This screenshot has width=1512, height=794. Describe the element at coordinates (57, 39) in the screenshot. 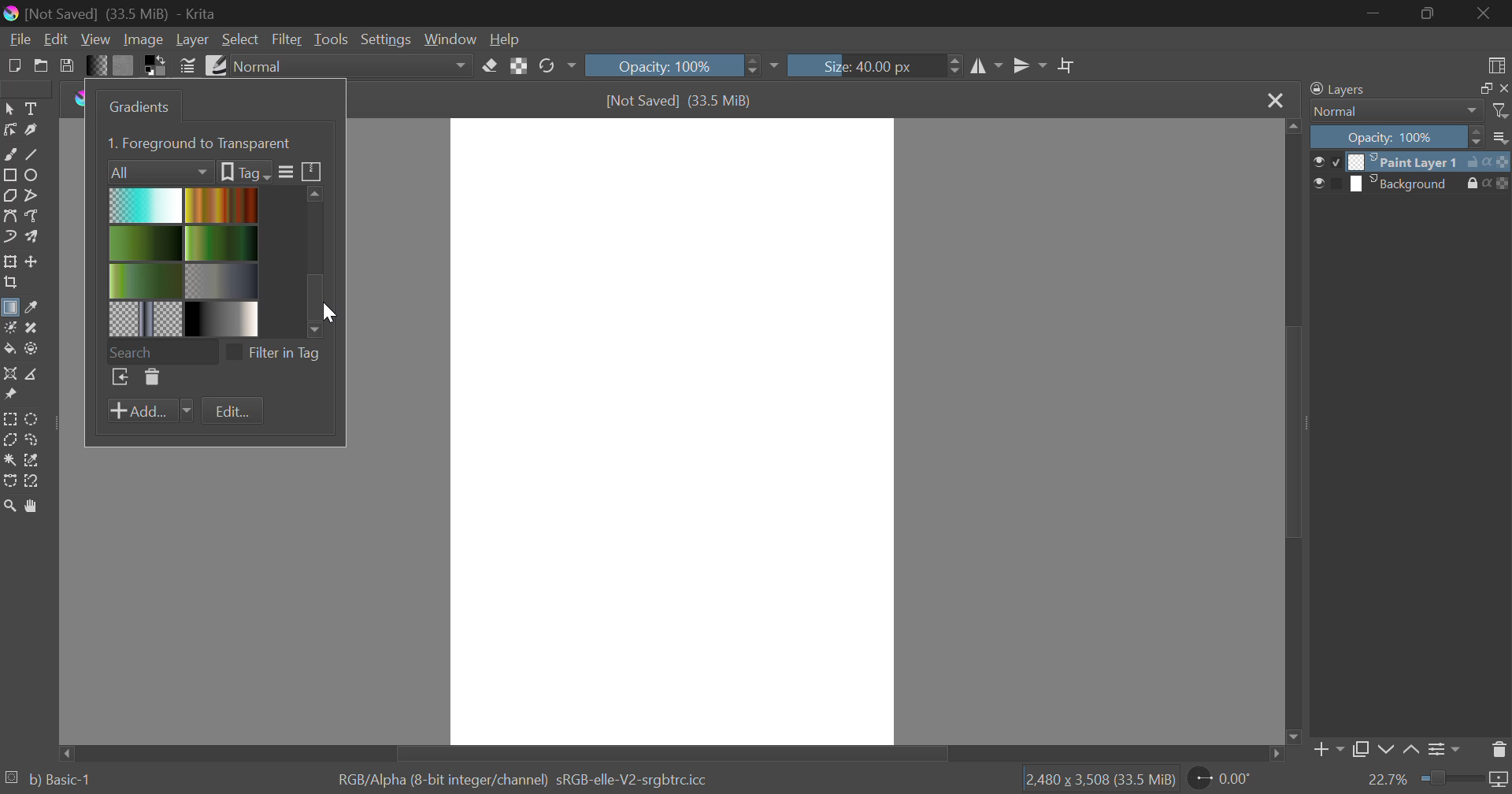

I see `Edit` at that location.